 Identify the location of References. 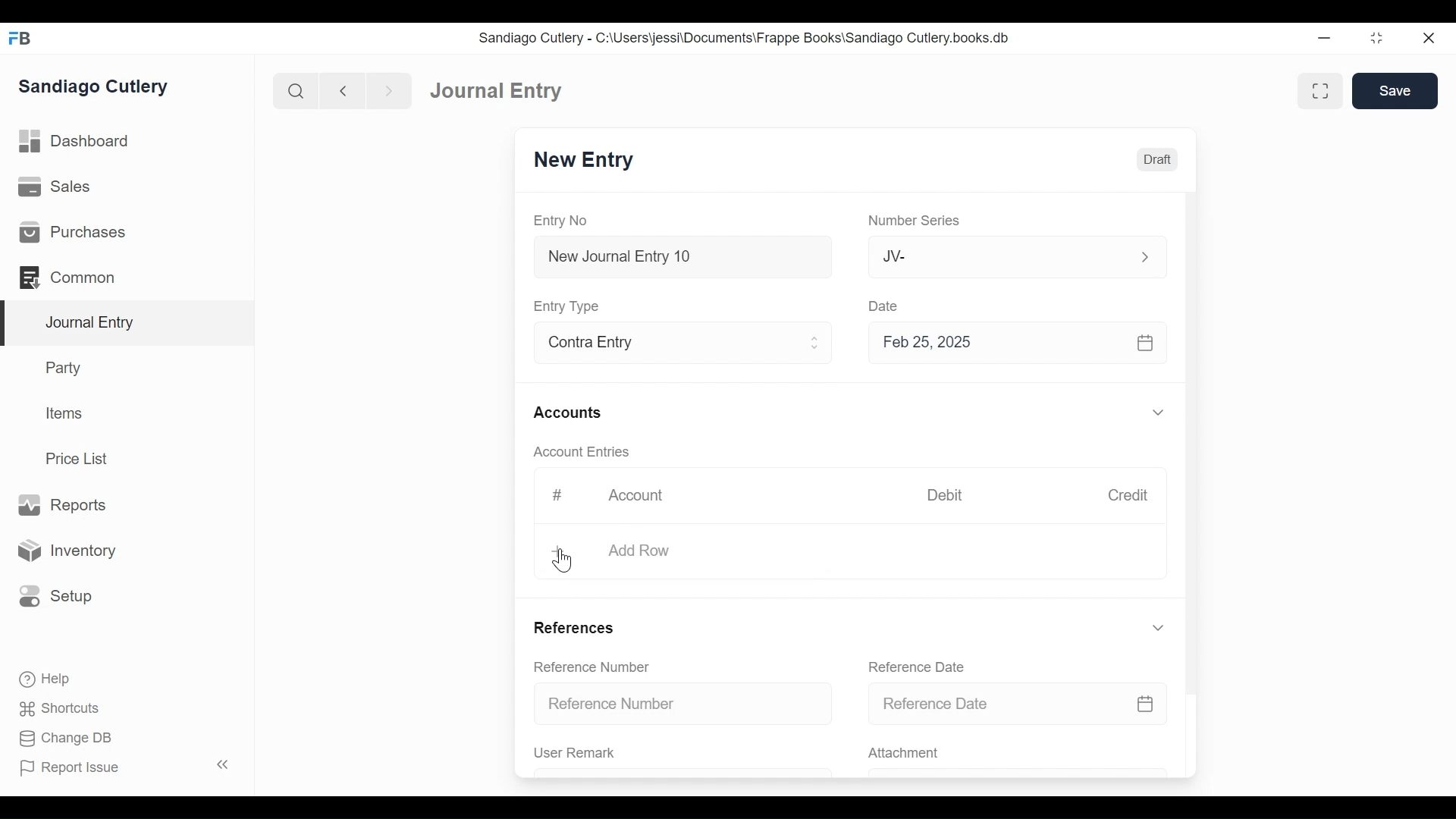
(576, 626).